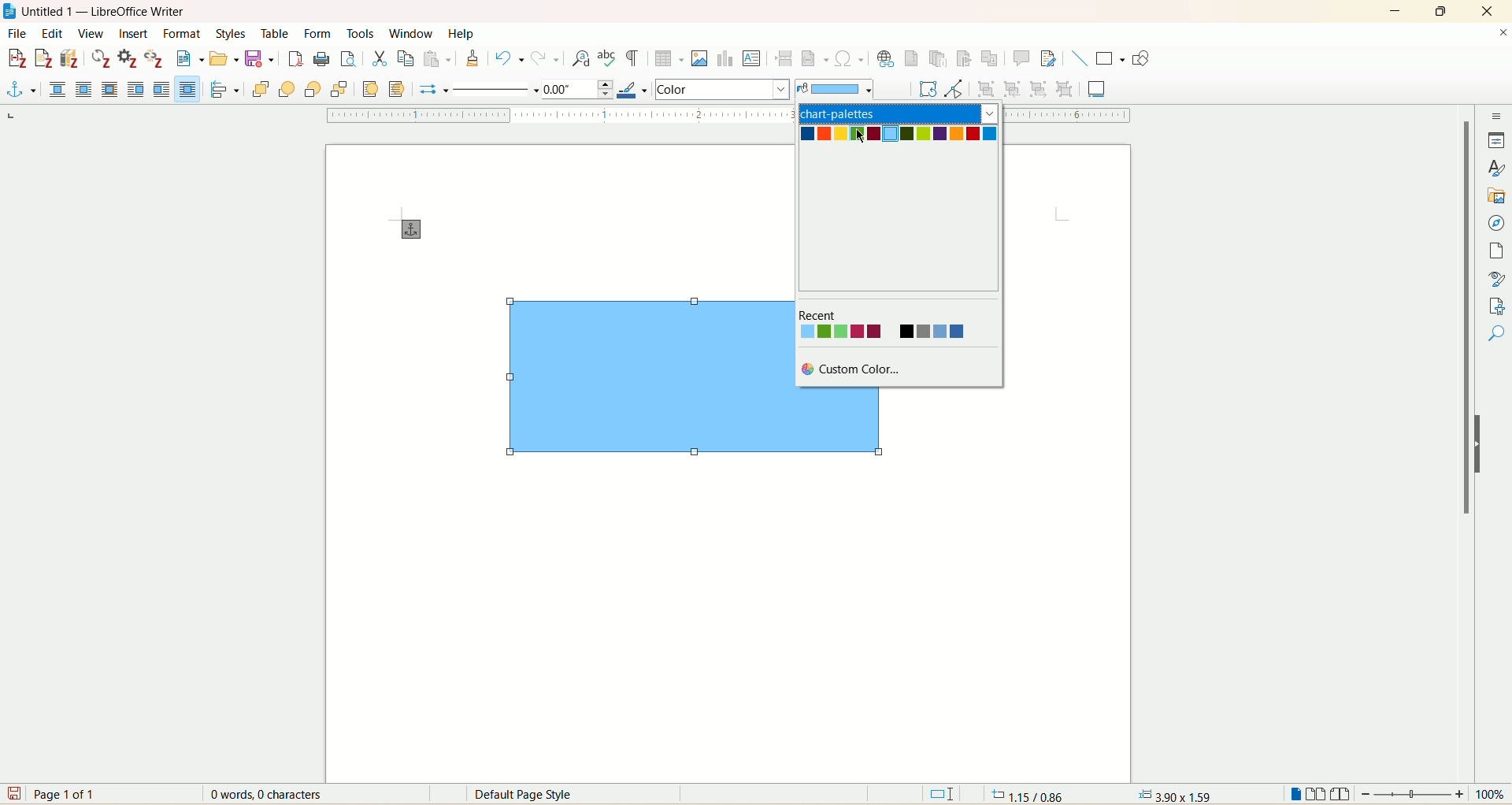  Describe the element at coordinates (369, 88) in the screenshot. I see `to foreground` at that location.